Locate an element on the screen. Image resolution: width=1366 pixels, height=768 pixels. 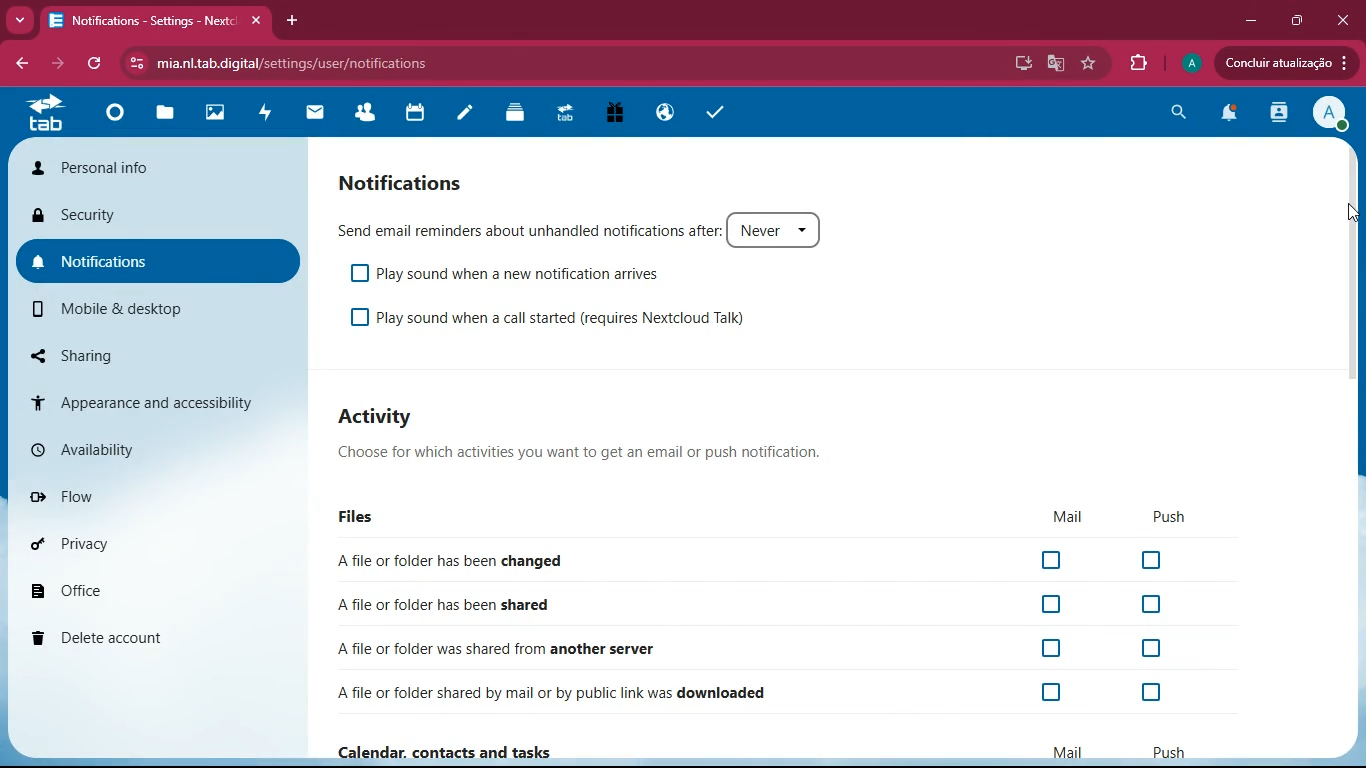
mail is located at coordinates (314, 115).